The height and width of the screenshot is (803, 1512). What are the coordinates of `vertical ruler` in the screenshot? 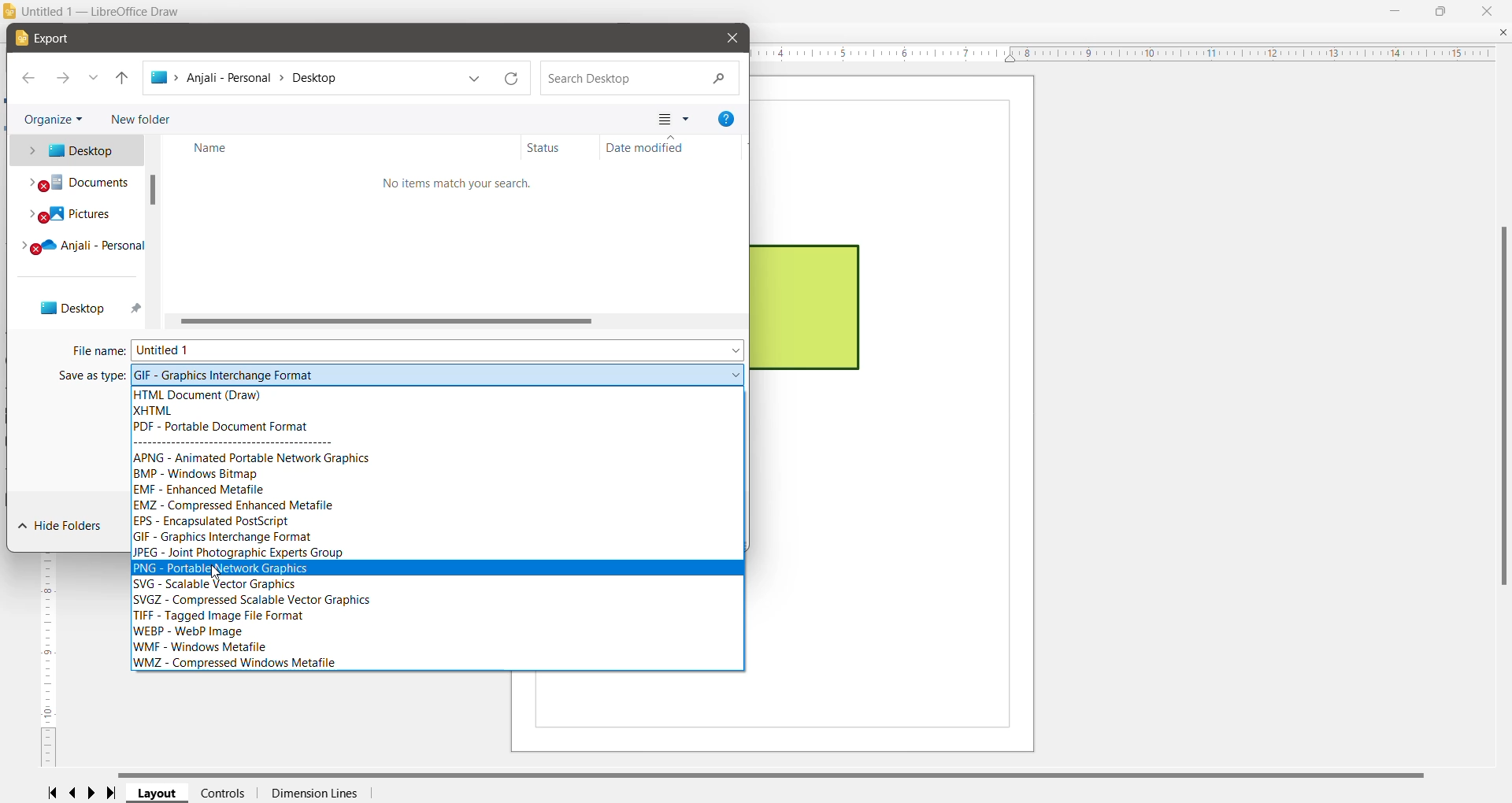 It's located at (45, 662).